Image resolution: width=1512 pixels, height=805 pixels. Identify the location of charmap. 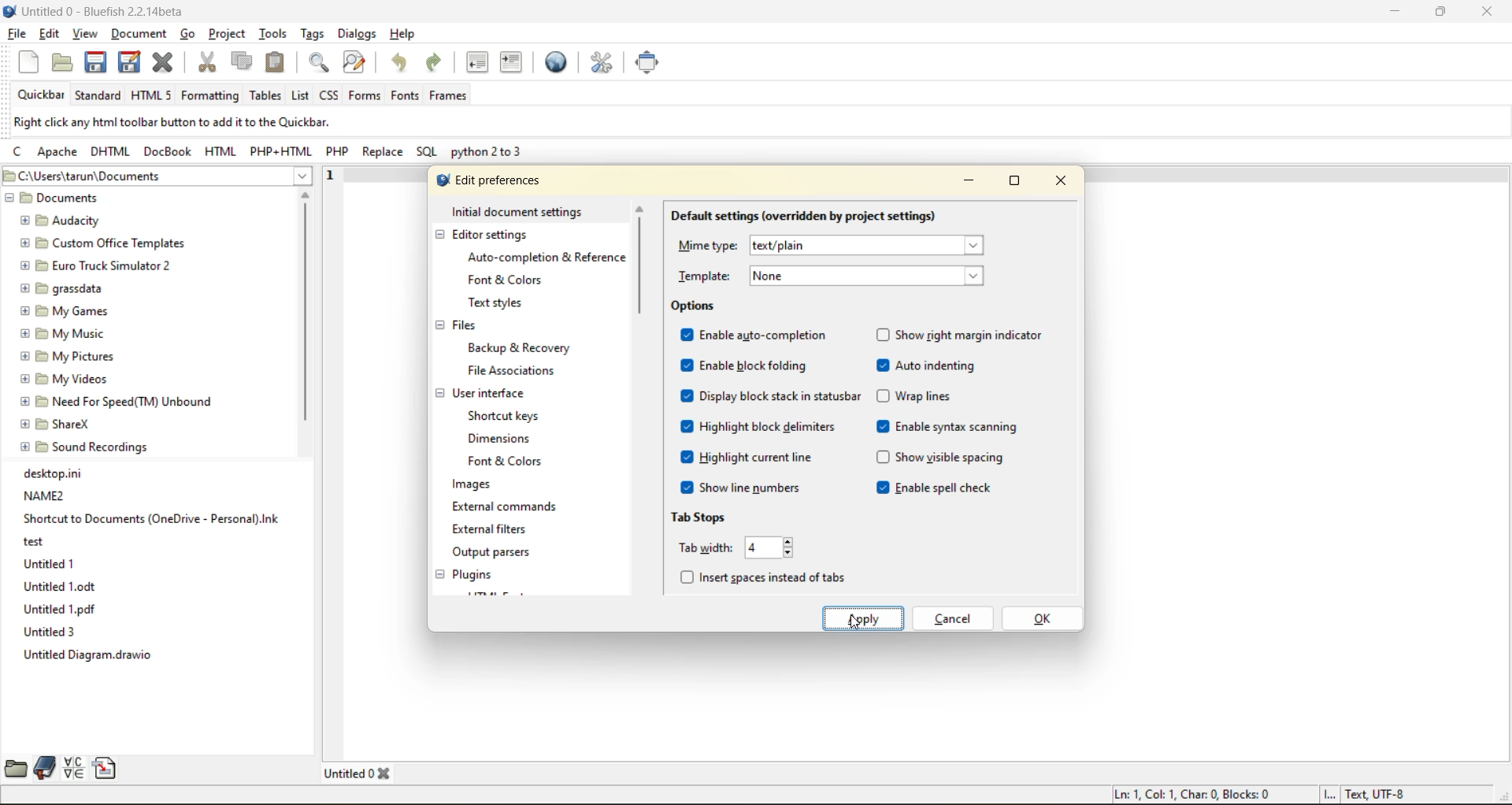
(74, 768).